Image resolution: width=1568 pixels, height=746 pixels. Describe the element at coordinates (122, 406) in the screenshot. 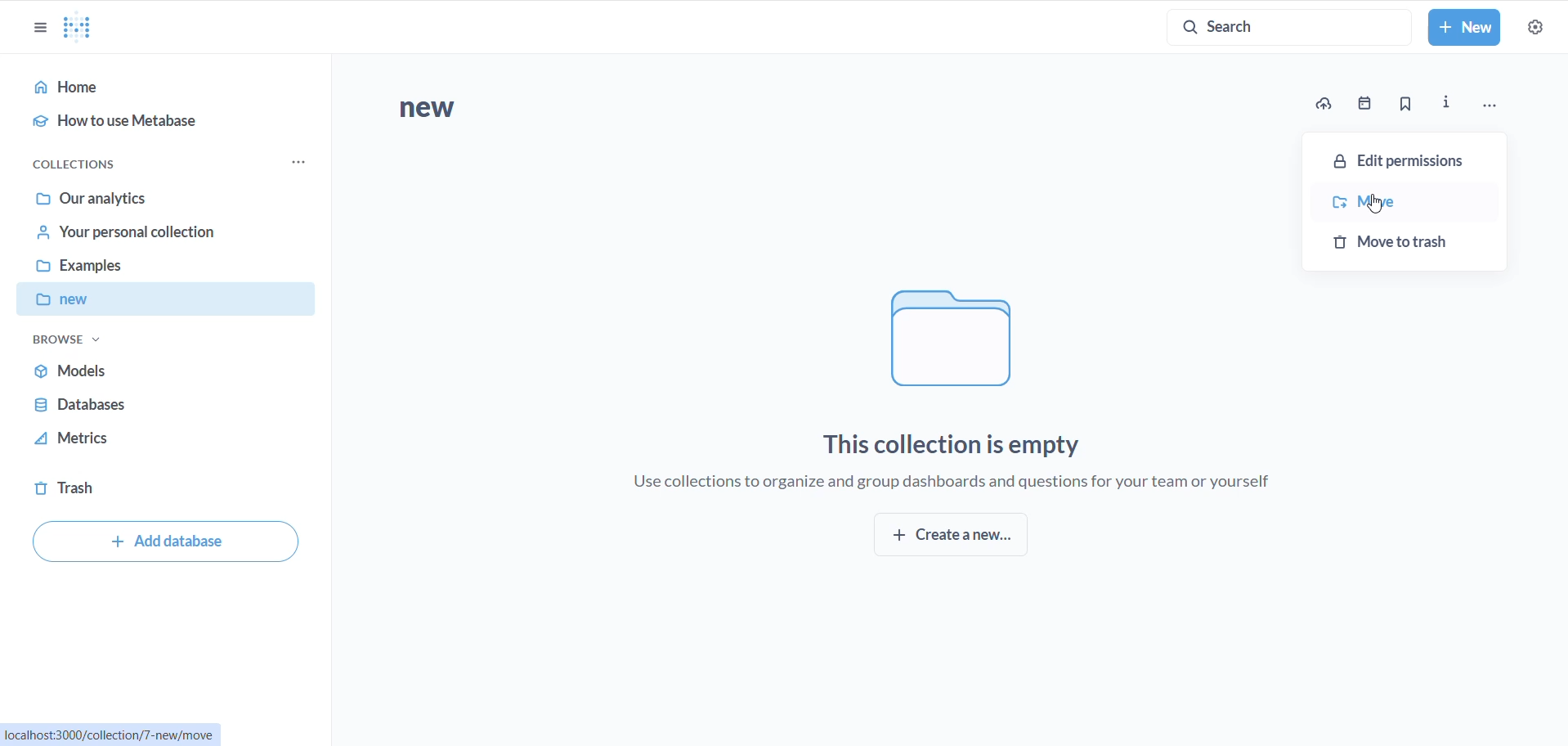

I see `databases` at that location.